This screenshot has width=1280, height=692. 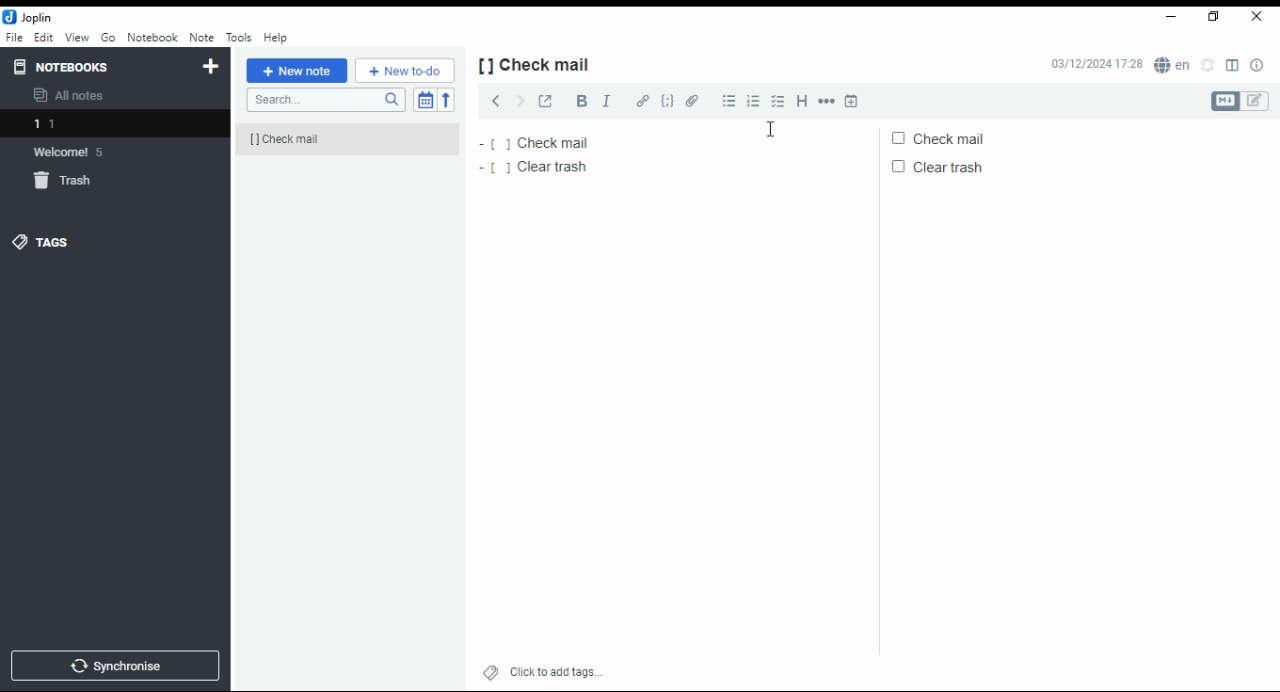 What do you see at coordinates (668, 102) in the screenshot?
I see `code` at bounding box center [668, 102].